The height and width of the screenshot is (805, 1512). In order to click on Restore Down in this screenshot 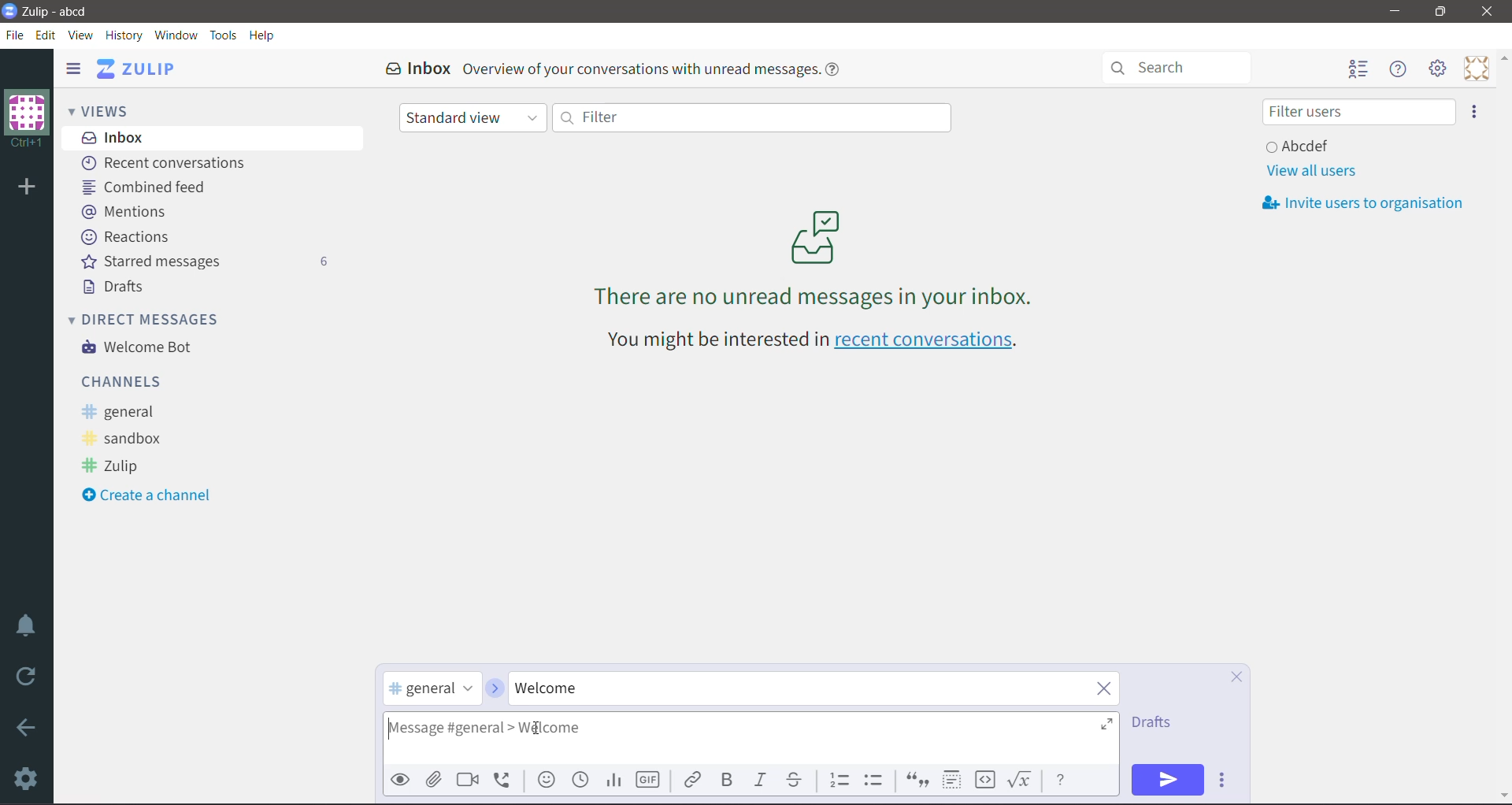, I will do `click(1440, 12)`.